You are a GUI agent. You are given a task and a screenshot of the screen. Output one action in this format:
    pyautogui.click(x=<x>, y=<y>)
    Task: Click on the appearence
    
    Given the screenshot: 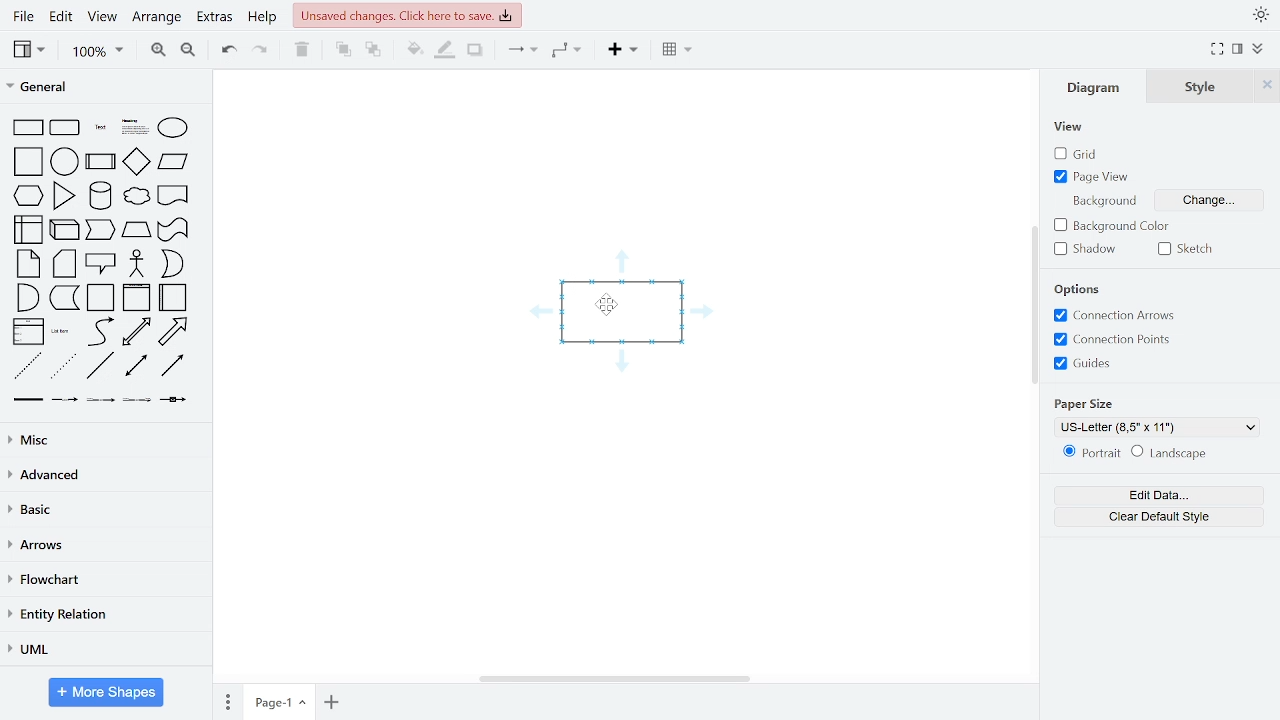 What is the action you would take?
    pyautogui.click(x=1260, y=13)
    